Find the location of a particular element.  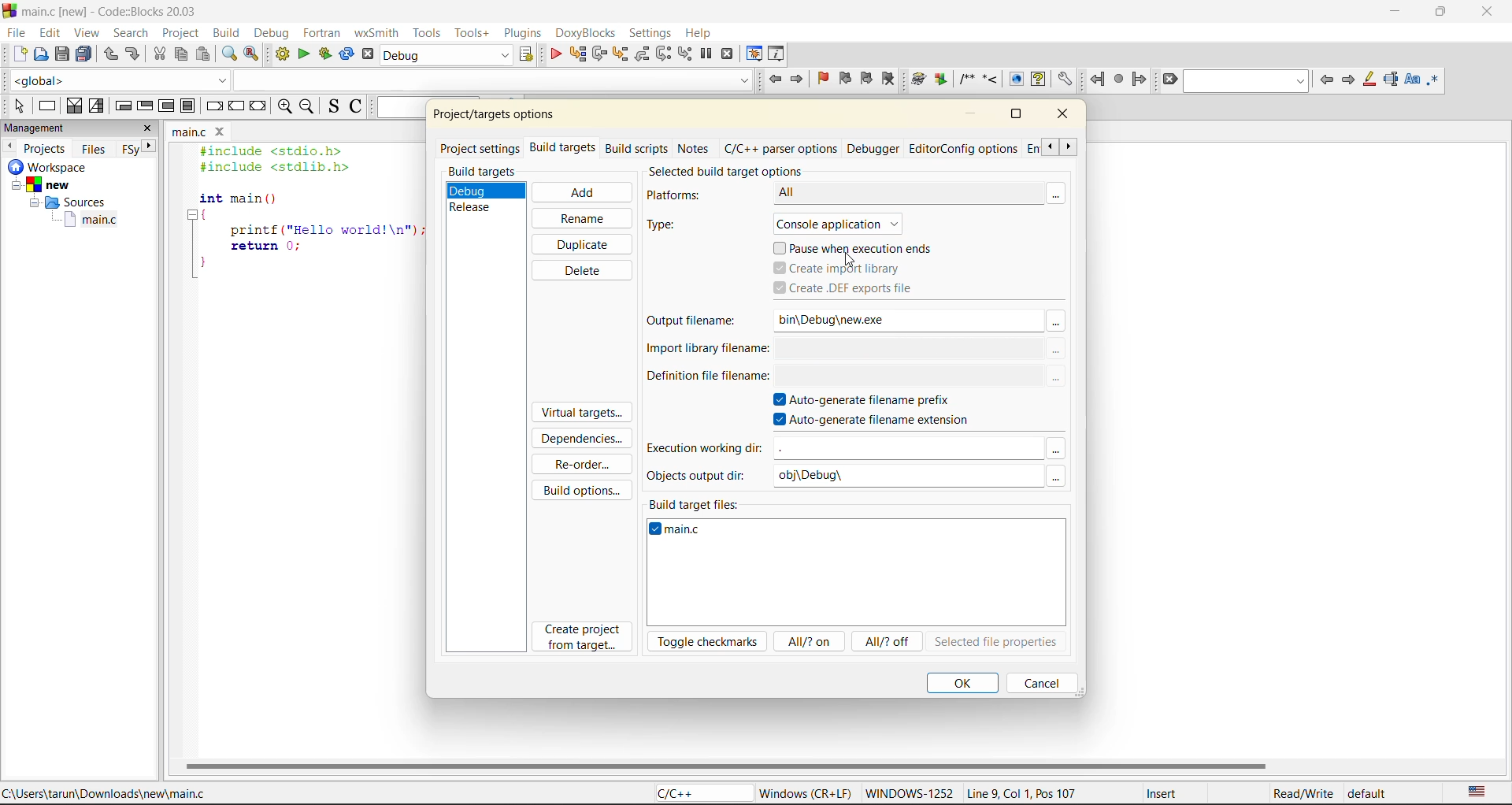

objects output dir is located at coordinates (702, 475).